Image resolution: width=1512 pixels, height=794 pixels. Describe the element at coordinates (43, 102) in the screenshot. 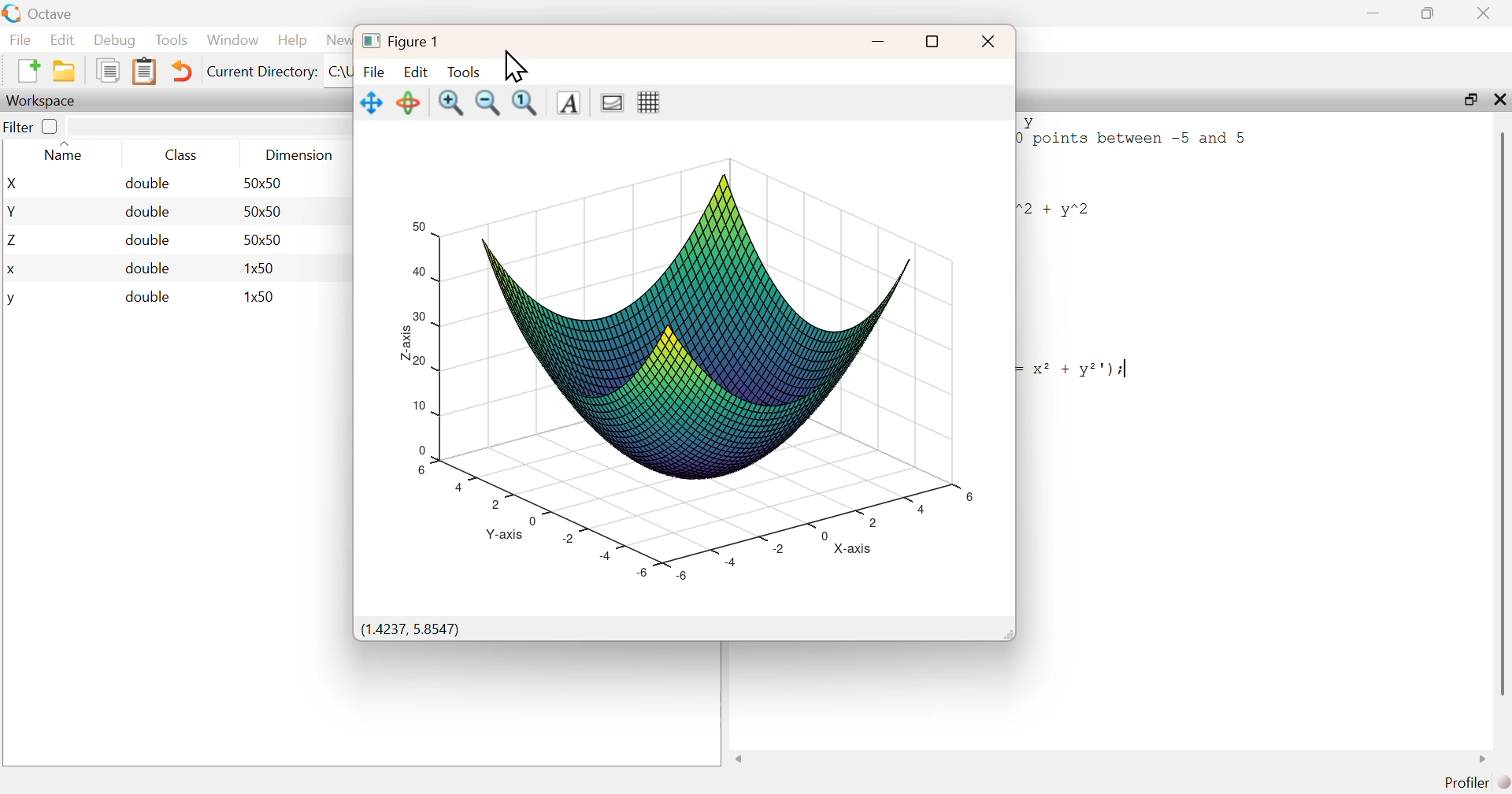

I see `Workspace` at that location.